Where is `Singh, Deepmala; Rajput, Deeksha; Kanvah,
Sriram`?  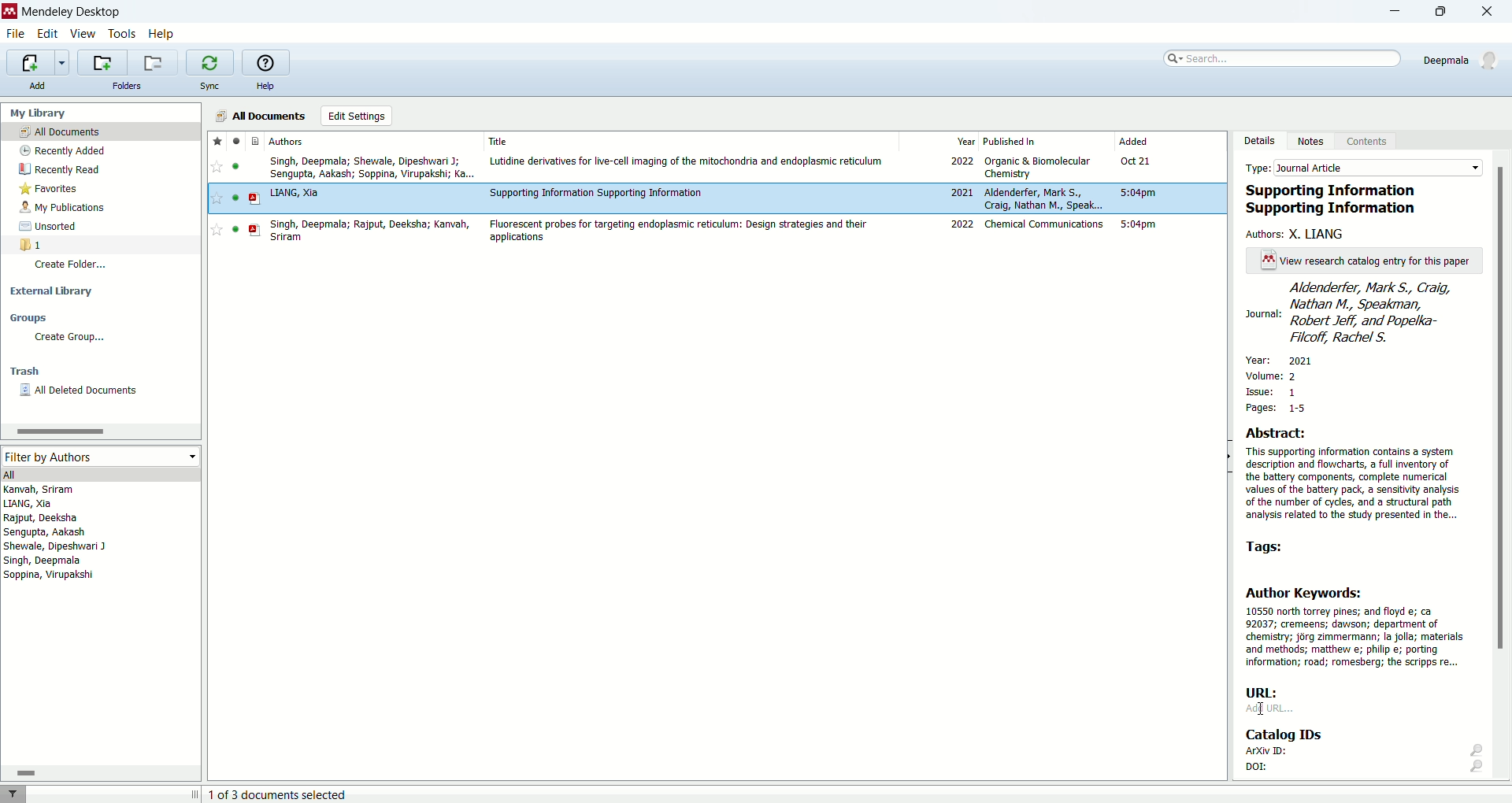
Singh, Deepmala; Rajput, Deeksha; Kanvah,
Sriram is located at coordinates (369, 231).